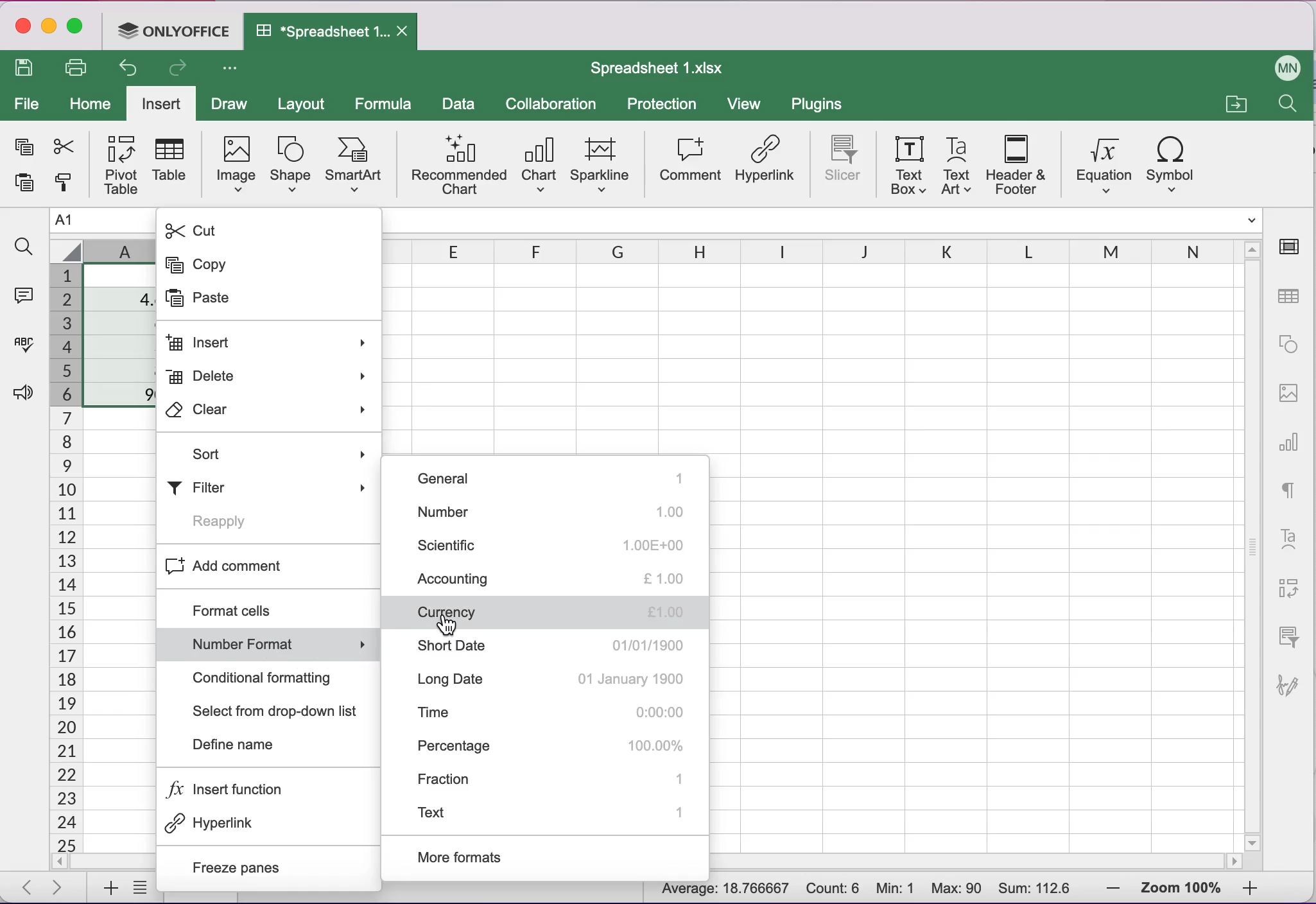 This screenshot has height=904, width=1316. I want to click on Add comment, so click(266, 564).